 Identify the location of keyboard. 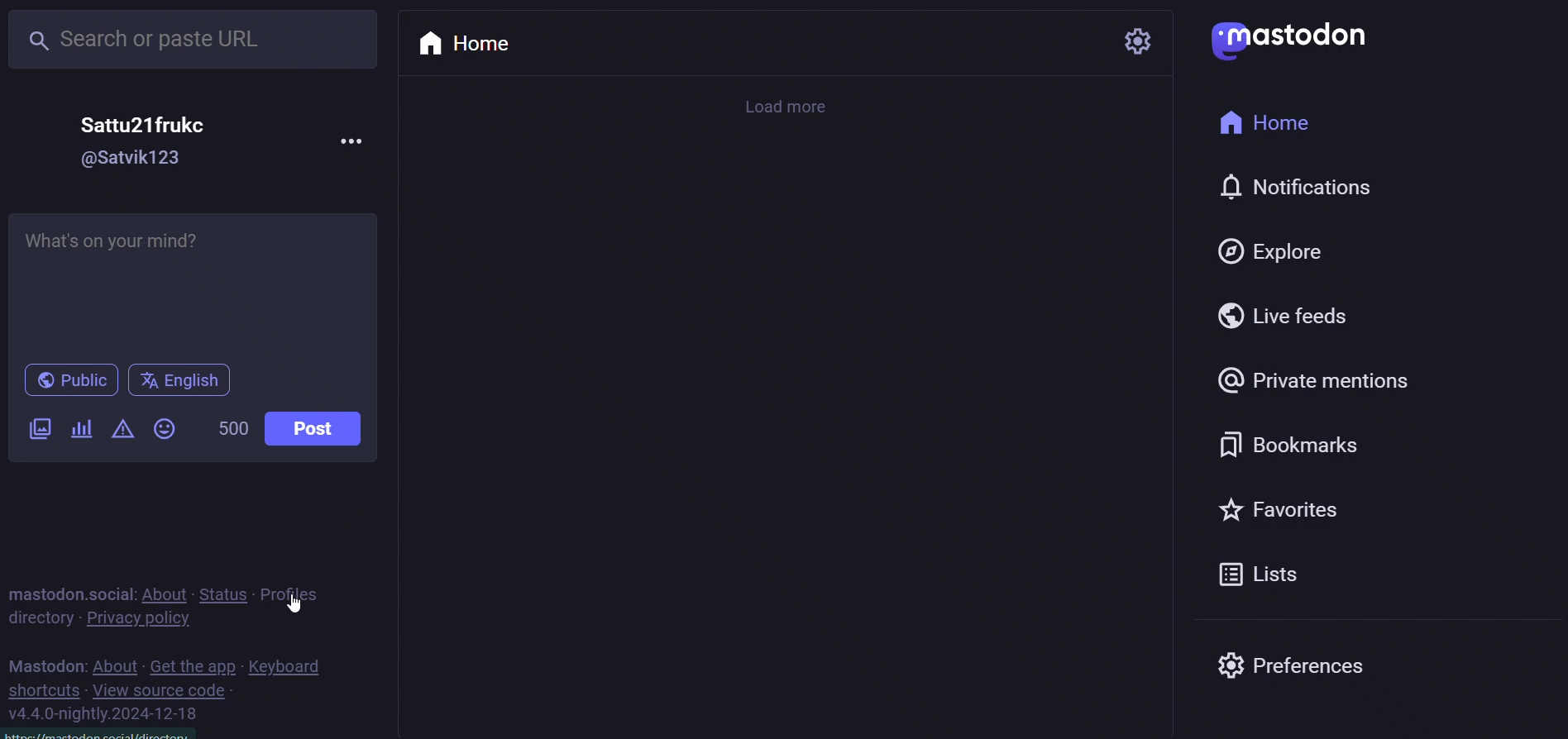
(290, 665).